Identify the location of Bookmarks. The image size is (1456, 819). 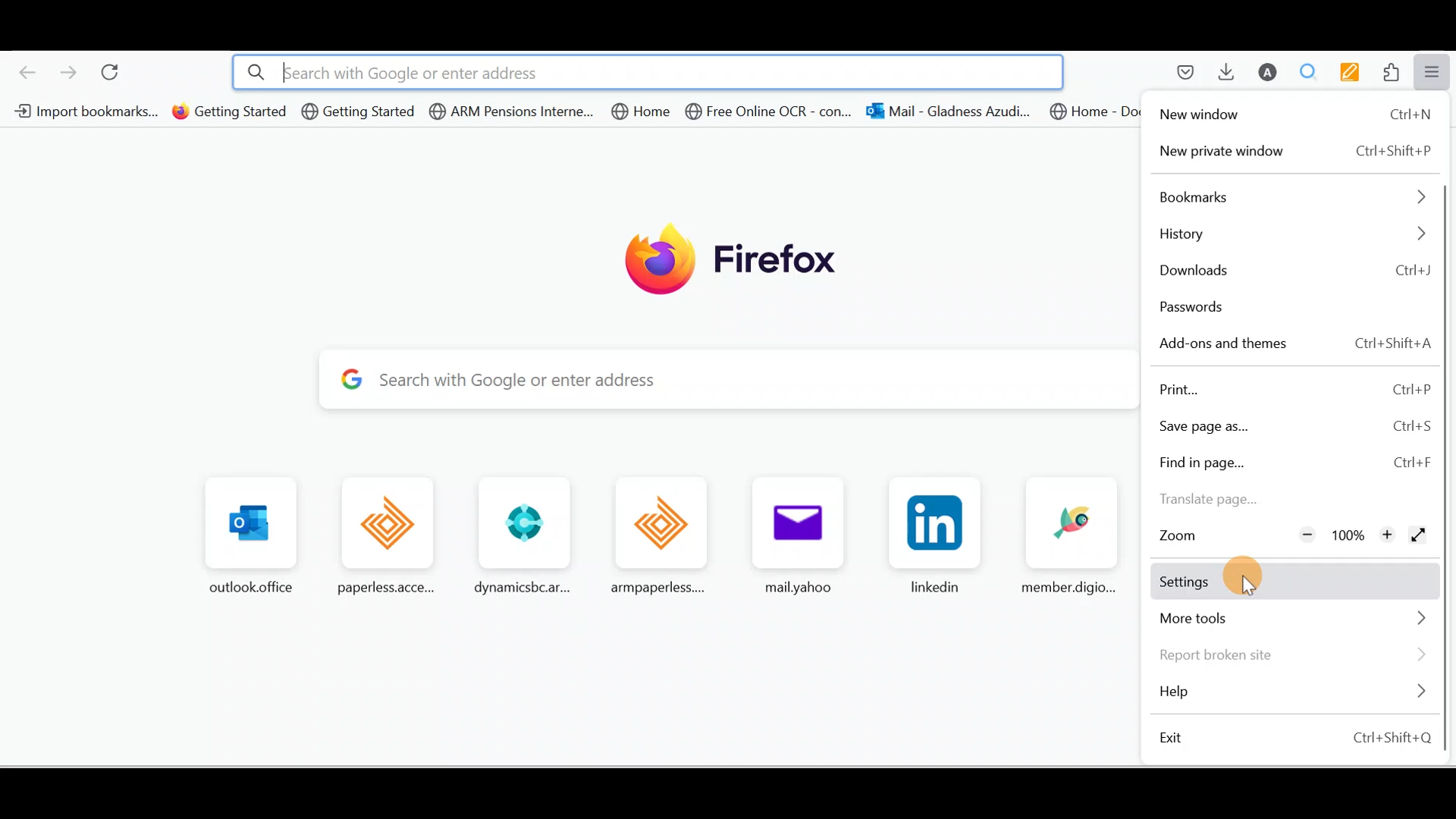
(1288, 199).